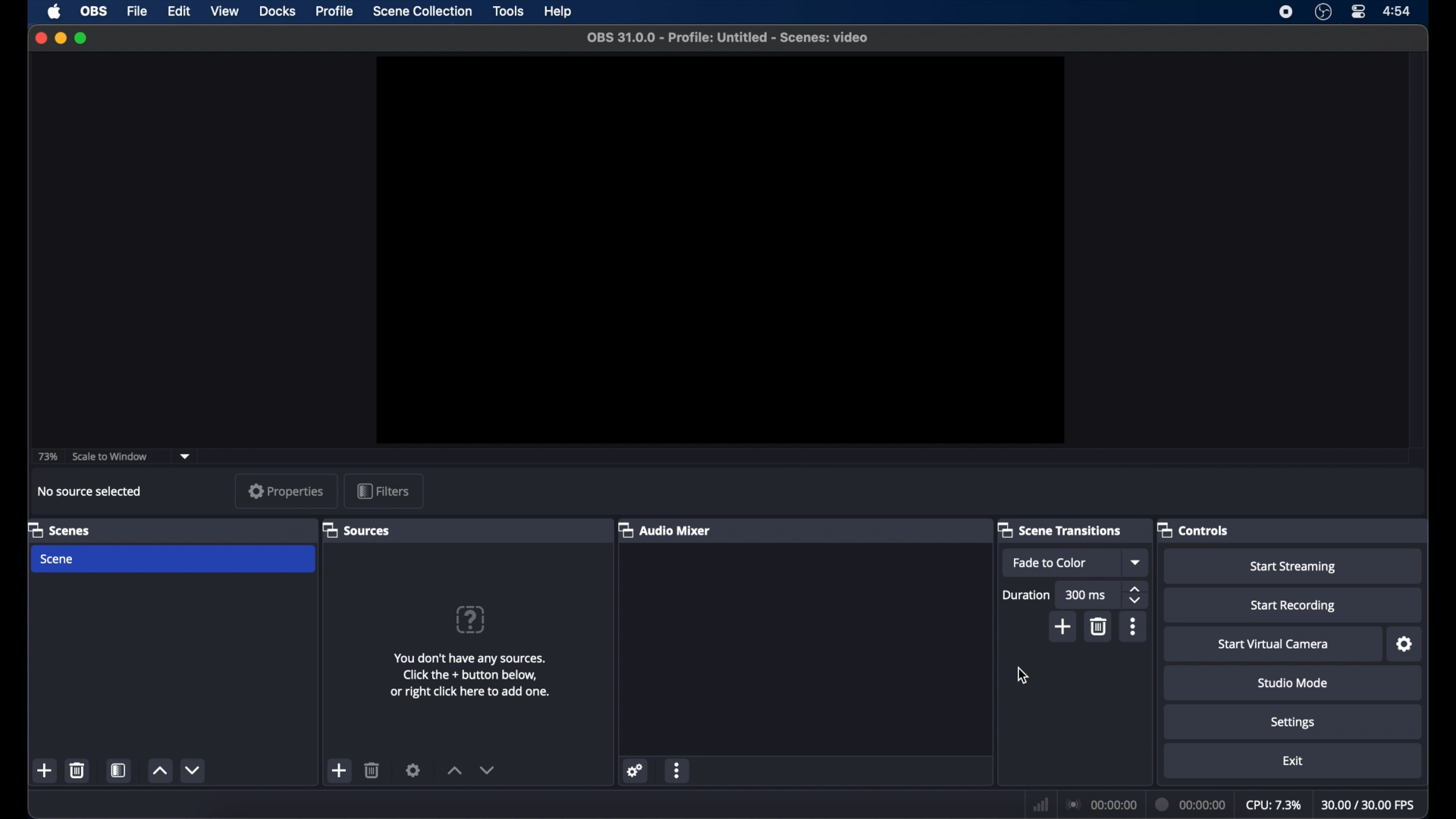 The image size is (1456, 819). I want to click on fps, so click(1370, 805).